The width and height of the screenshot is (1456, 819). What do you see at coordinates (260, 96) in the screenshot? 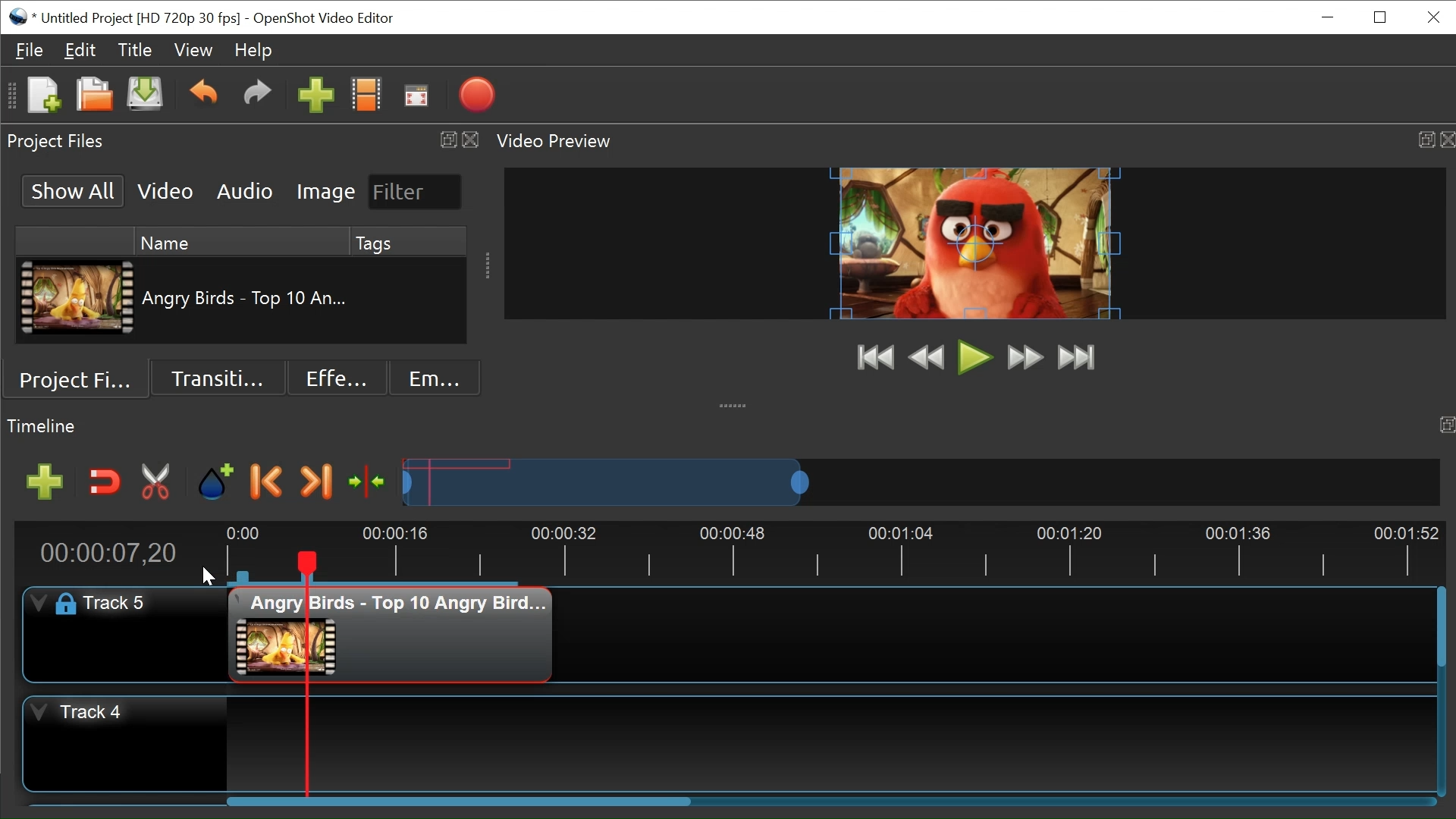
I see `Redo` at bounding box center [260, 96].